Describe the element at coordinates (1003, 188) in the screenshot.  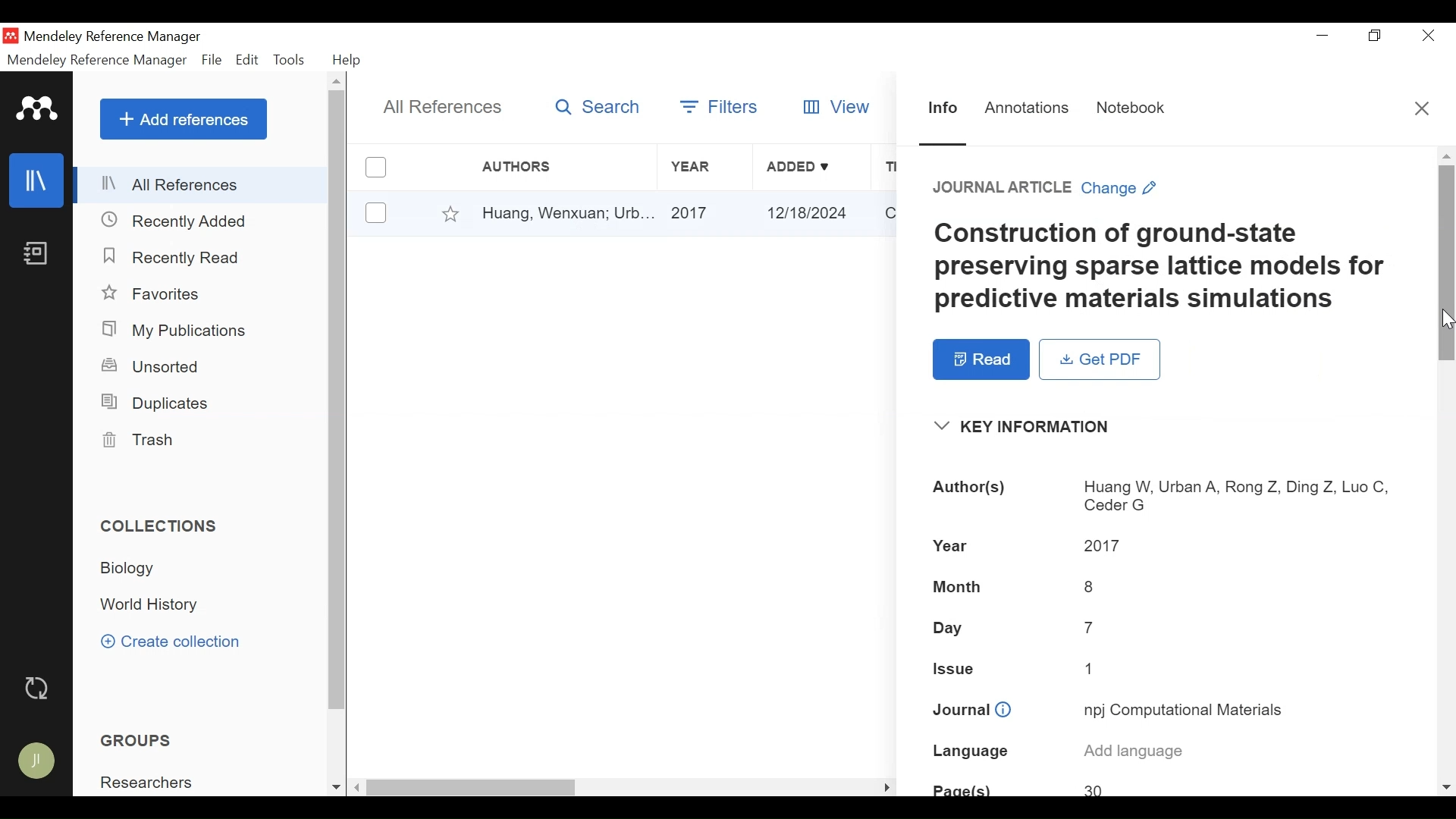
I see `JOURNAL ARTICLE` at that location.